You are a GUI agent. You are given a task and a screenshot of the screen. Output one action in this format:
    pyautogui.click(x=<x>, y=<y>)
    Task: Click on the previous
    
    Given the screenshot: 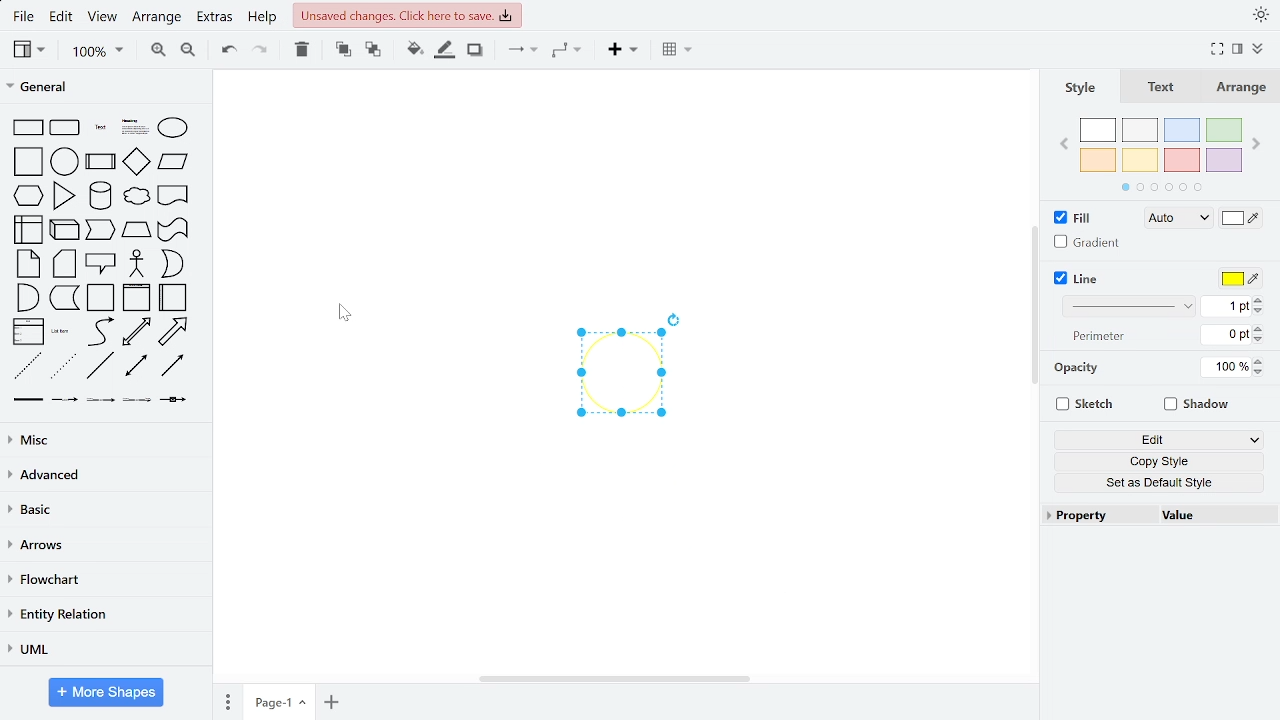 What is the action you would take?
    pyautogui.click(x=1064, y=146)
    